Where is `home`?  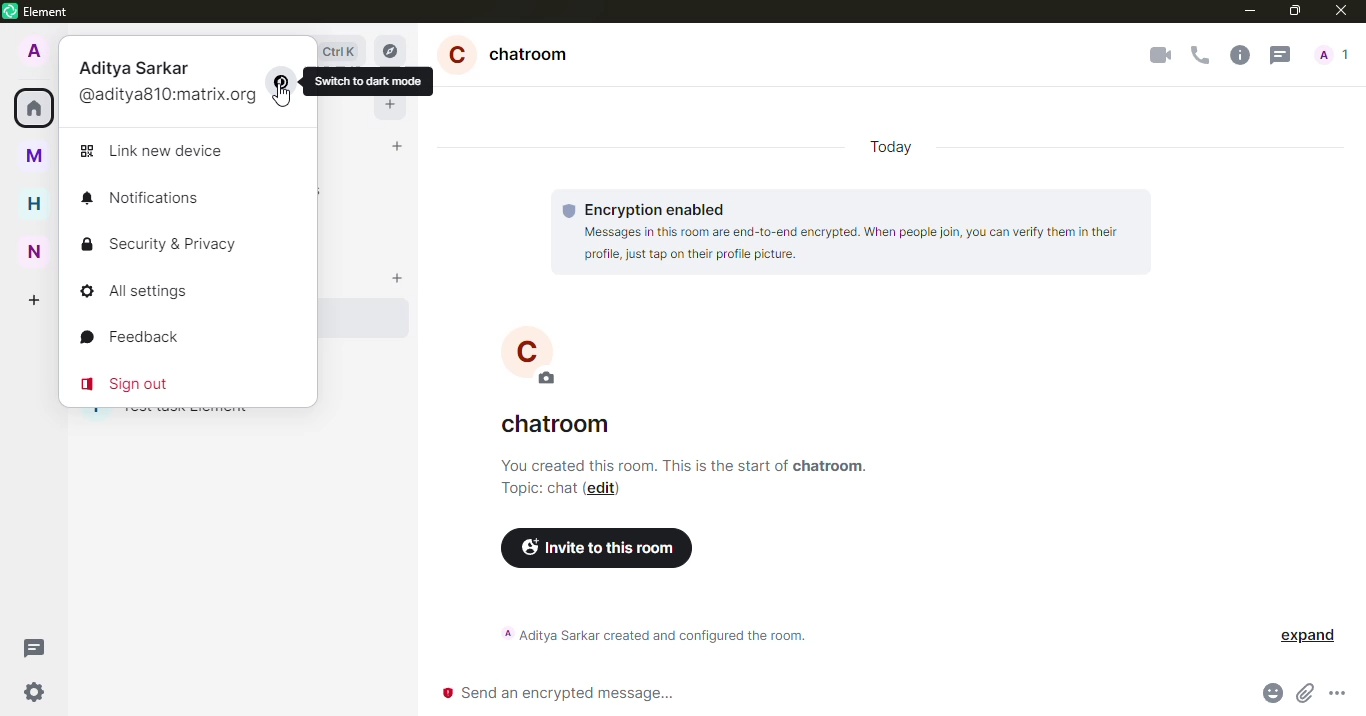 home is located at coordinates (35, 203).